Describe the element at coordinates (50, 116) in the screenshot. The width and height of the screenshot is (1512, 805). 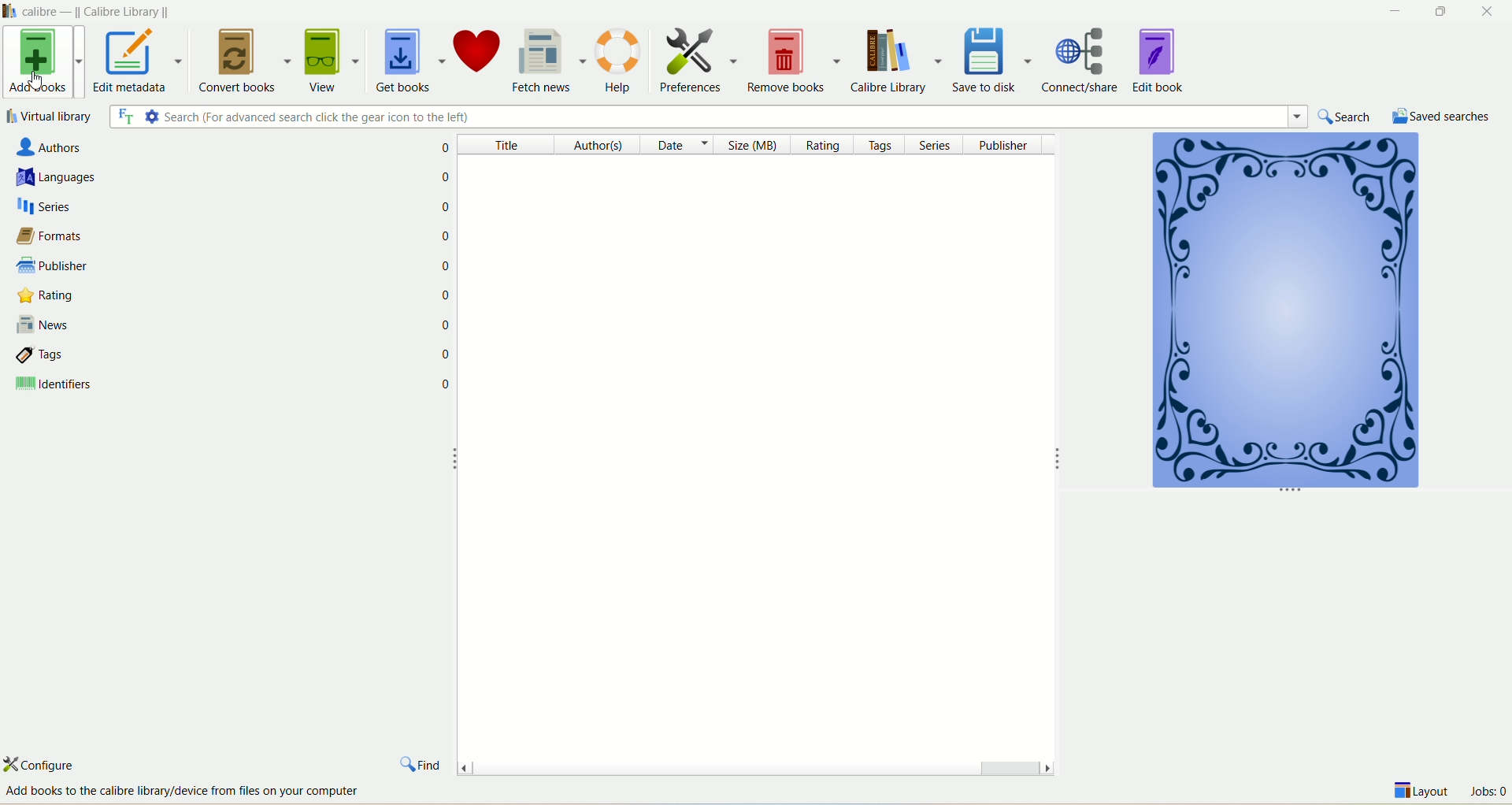
I see `virtual library` at that location.